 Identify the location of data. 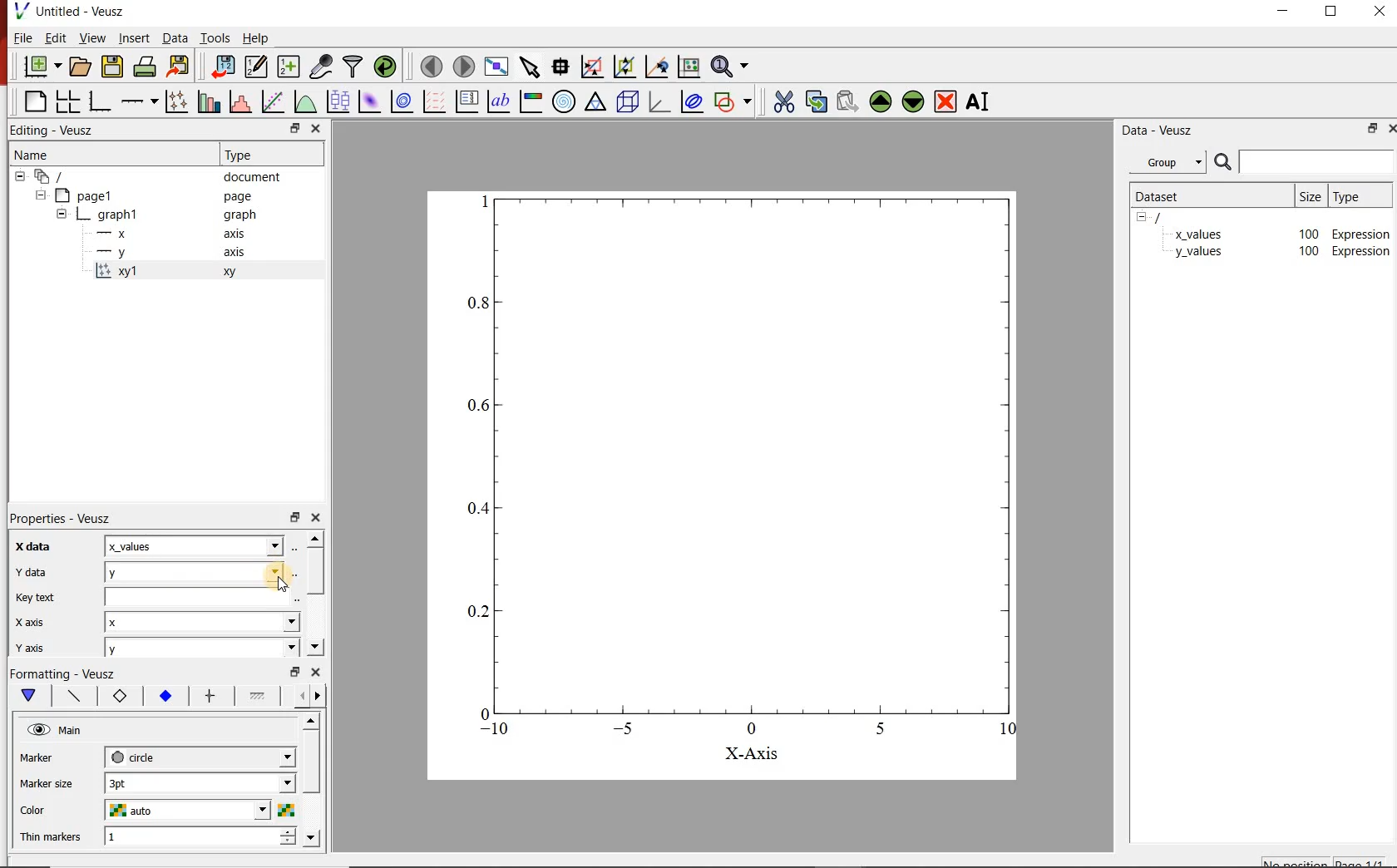
(175, 37).